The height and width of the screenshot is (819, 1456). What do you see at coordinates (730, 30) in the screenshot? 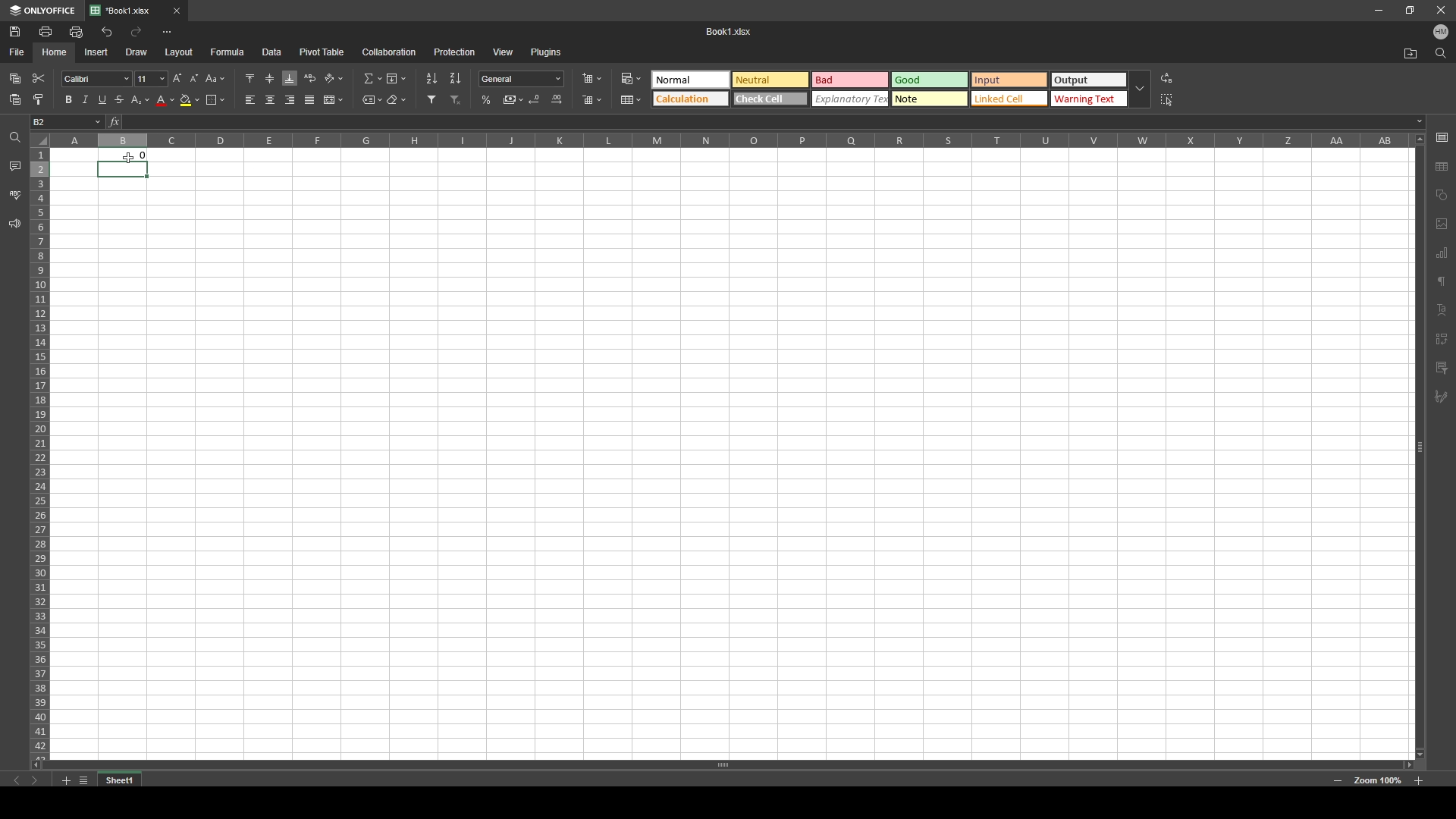
I see `file name` at bounding box center [730, 30].